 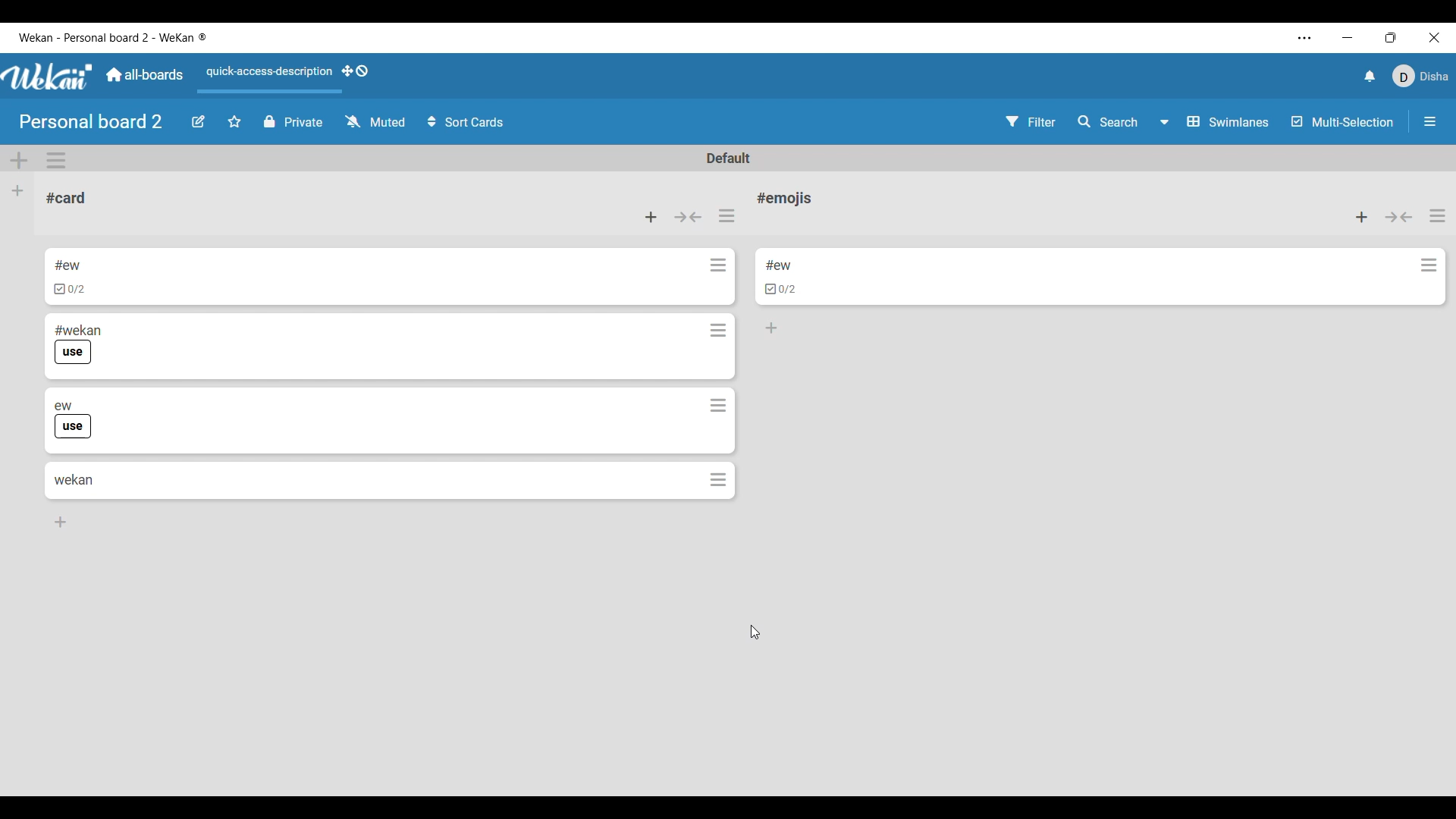 What do you see at coordinates (143, 75) in the screenshot?
I see `Go to main dashboard` at bounding box center [143, 75].